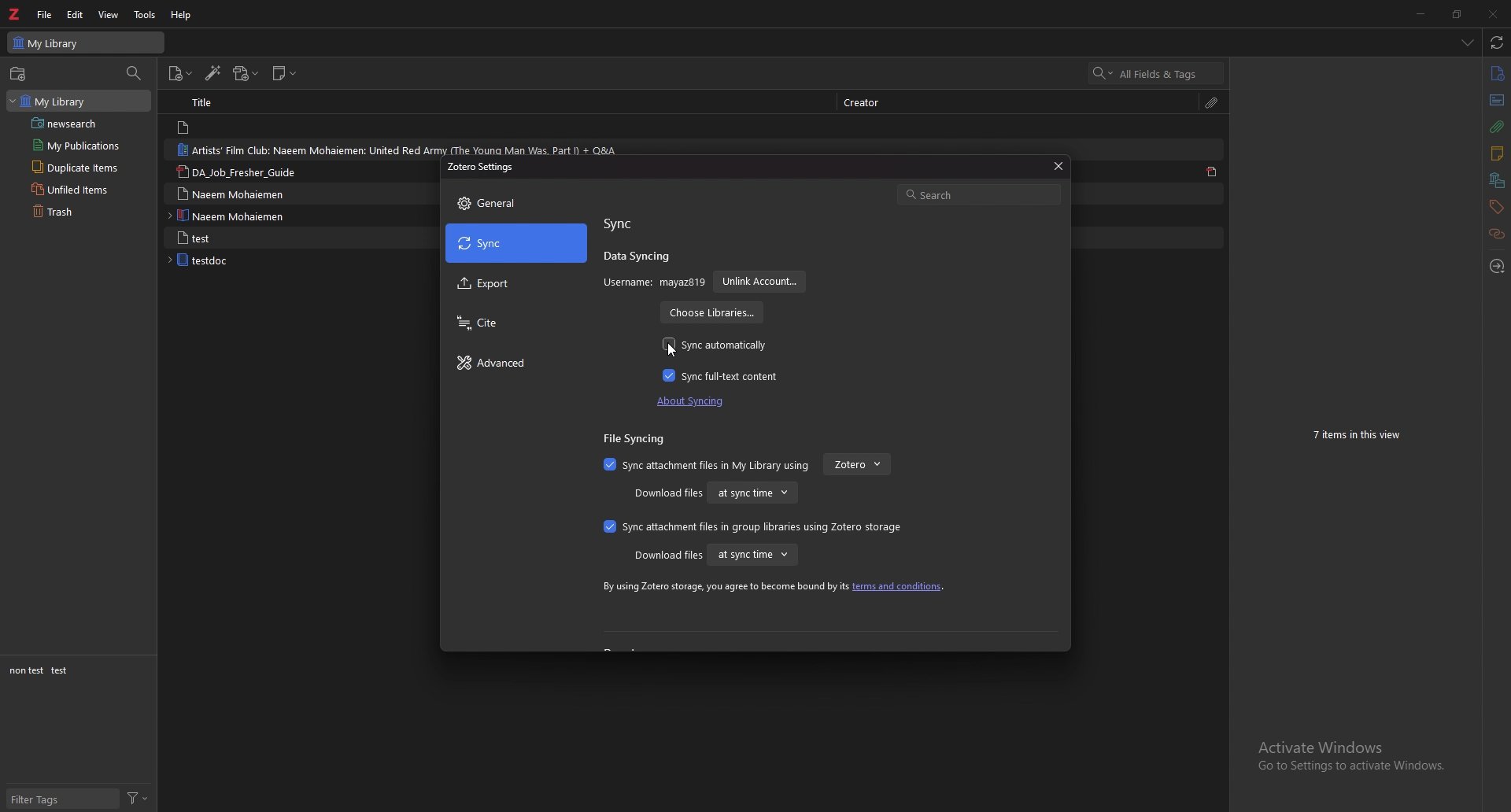  I want to click on zotero, so click(15, 14).